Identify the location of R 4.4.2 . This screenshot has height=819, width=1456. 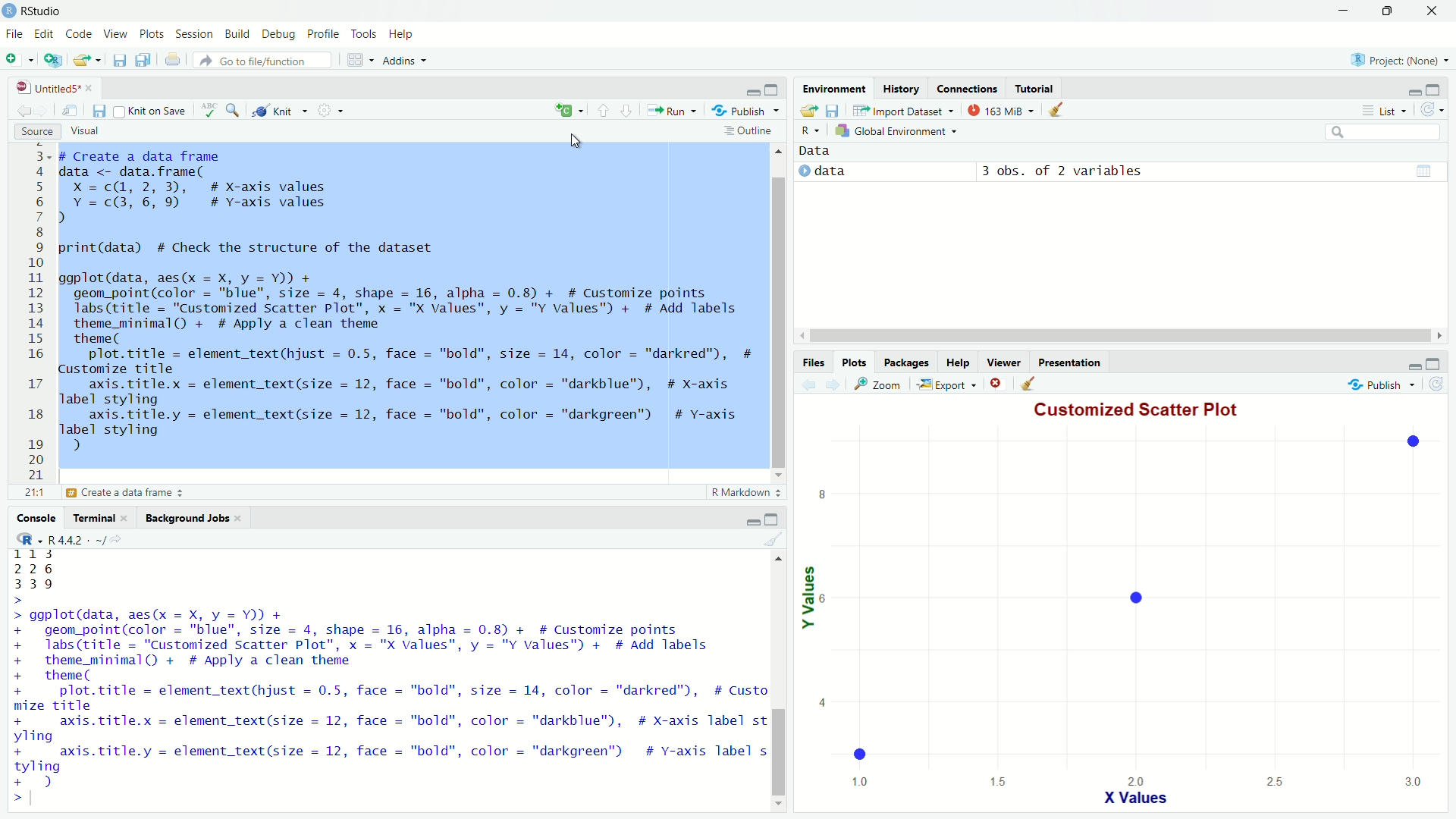
(74, 538).